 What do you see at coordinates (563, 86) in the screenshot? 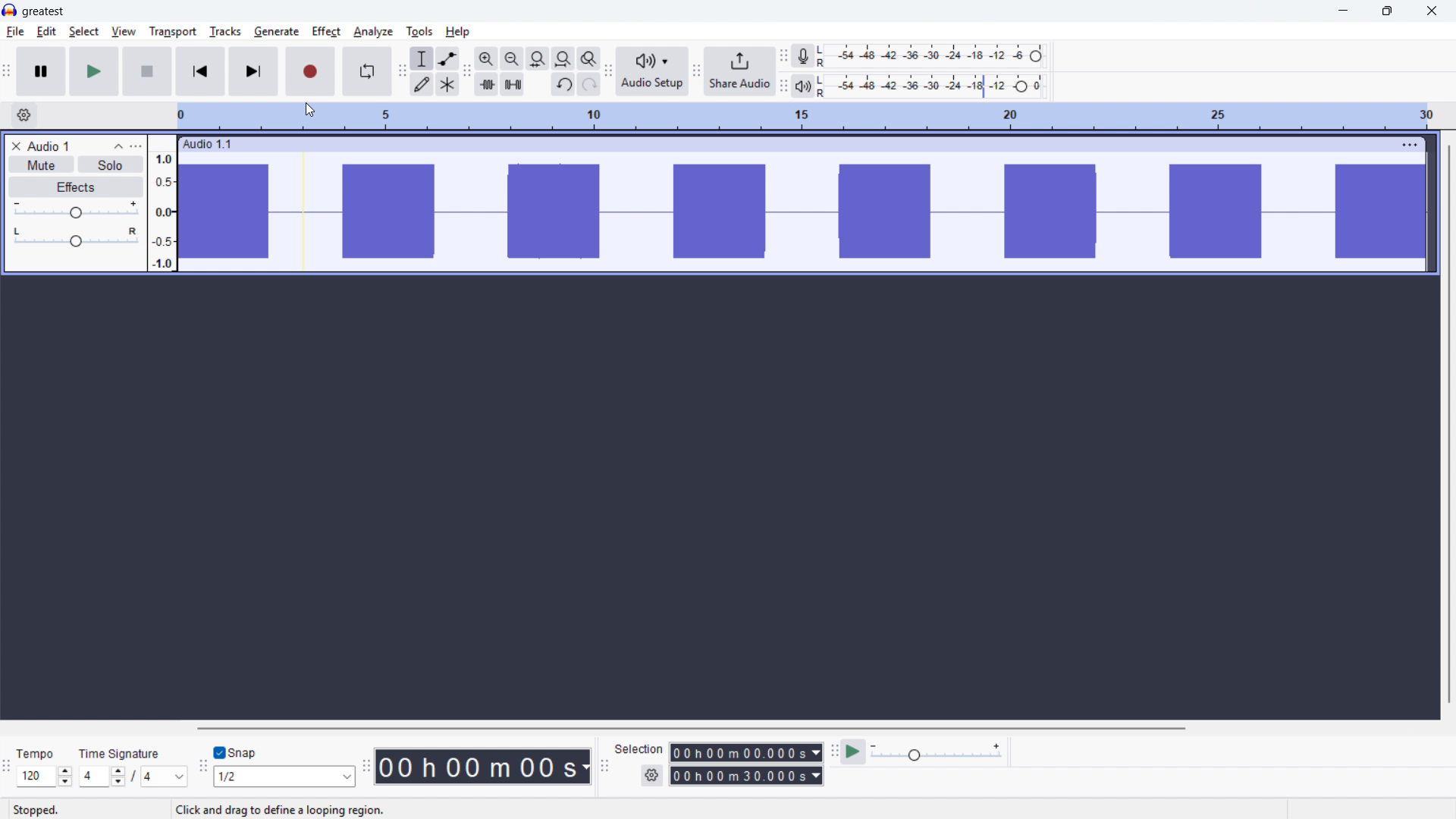
I see `undo` at bounding box center [563, 86].